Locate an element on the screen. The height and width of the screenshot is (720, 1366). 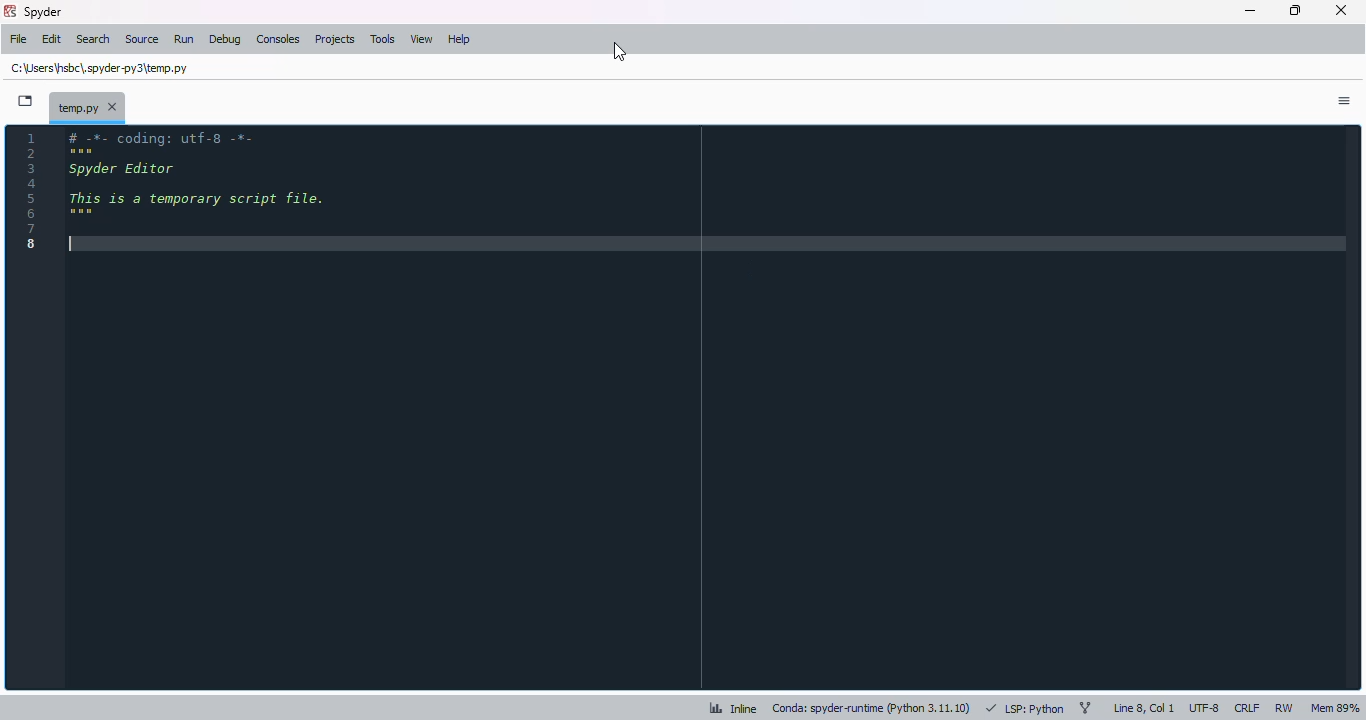
browse tabs is located at coordinates (26, 101).